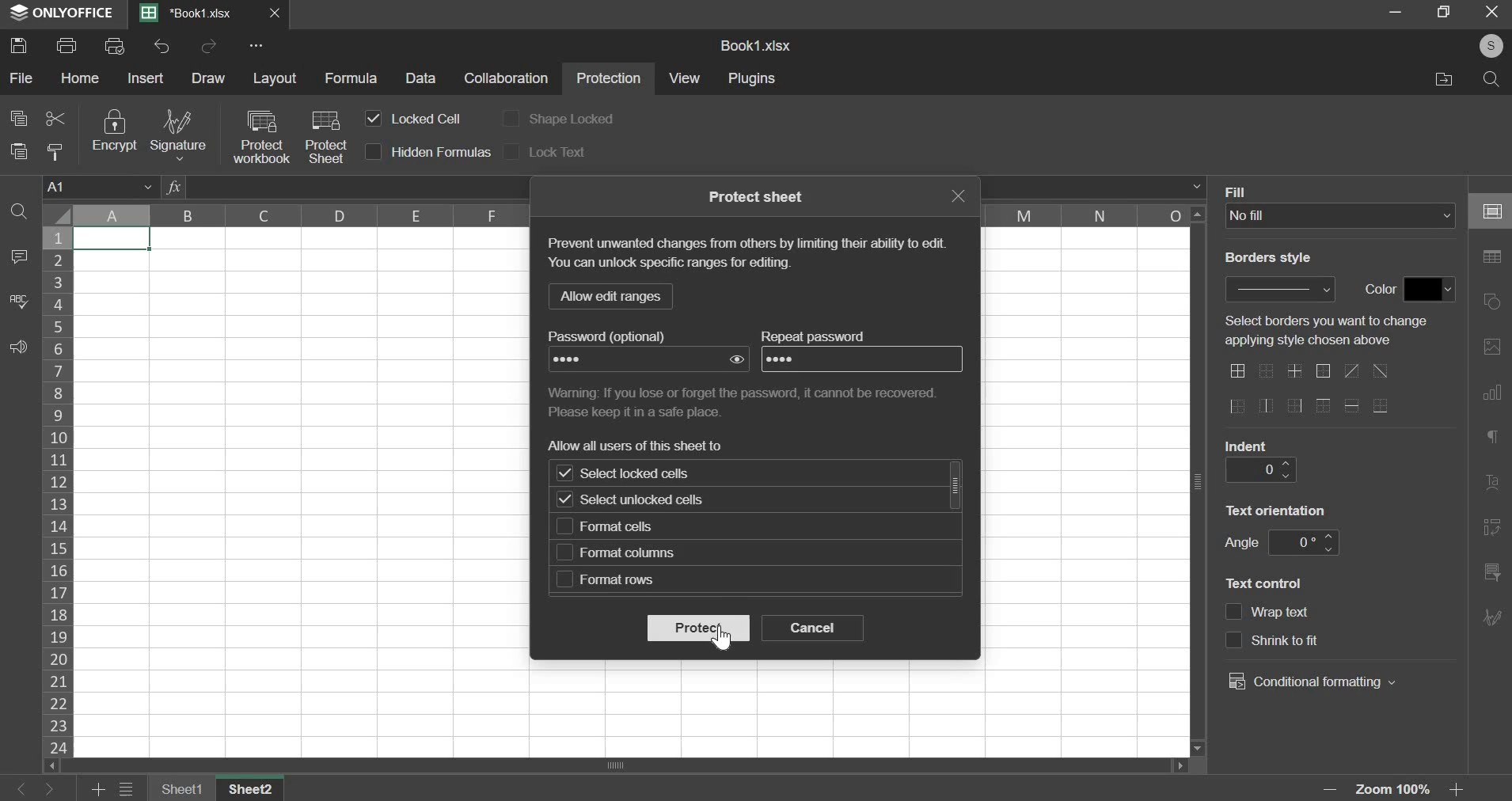  What do you see at coordinates (617, 336) in the screenshot?
I see `text` at bounding box center [617, 336].